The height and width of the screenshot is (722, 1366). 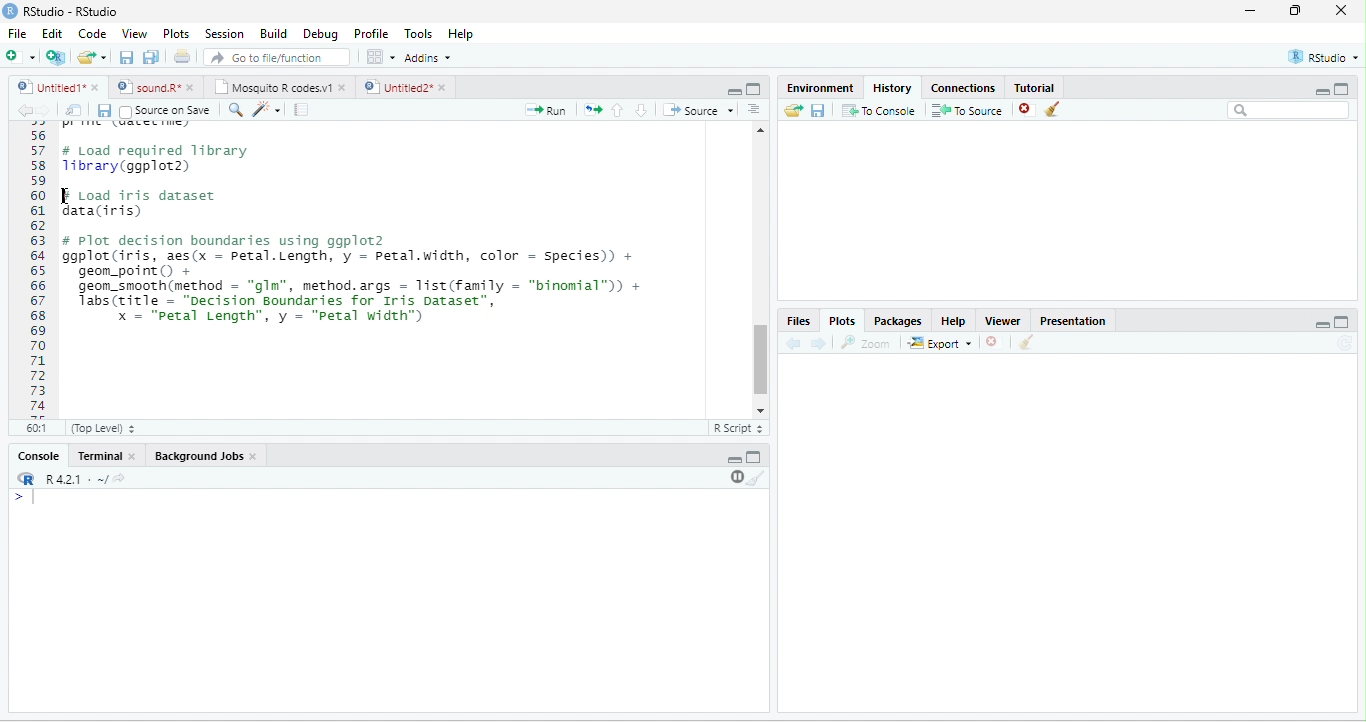 I want to click on save, so click(x=126, y=57).